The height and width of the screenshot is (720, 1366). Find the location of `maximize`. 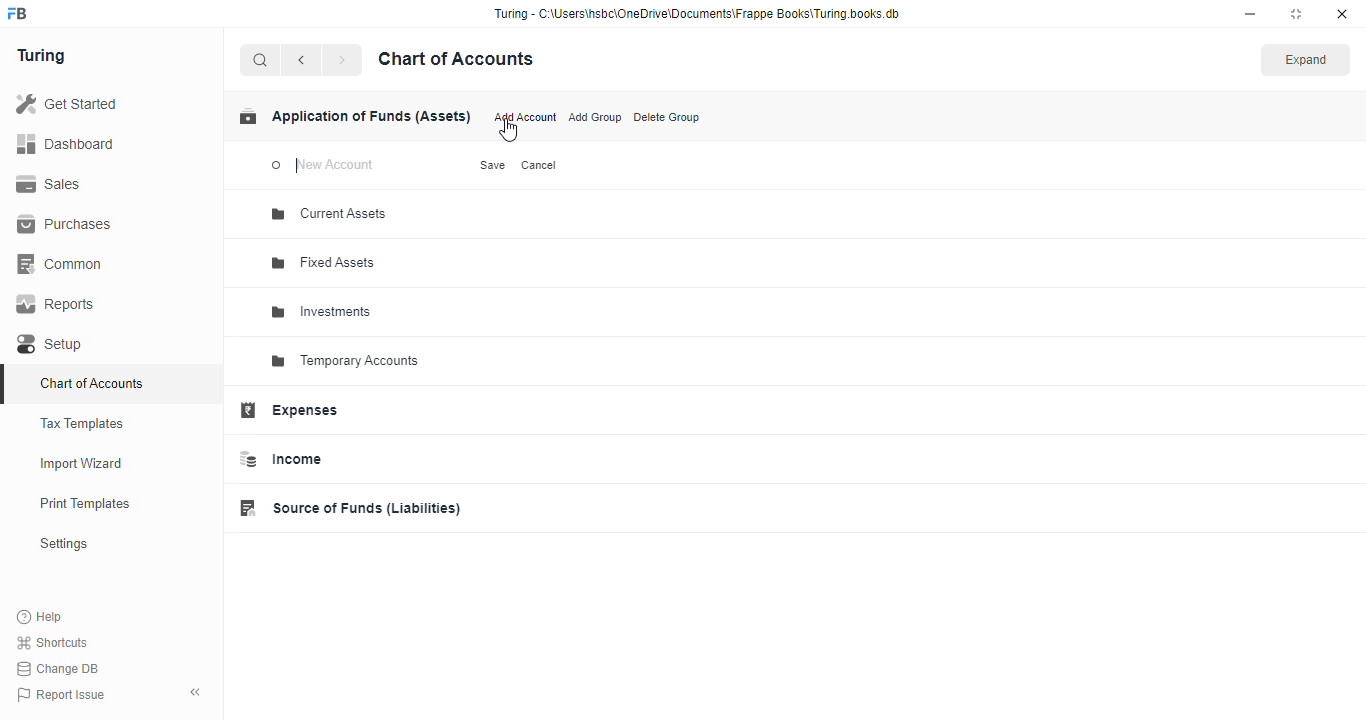

maximize is located at coordinates (1296, 14).